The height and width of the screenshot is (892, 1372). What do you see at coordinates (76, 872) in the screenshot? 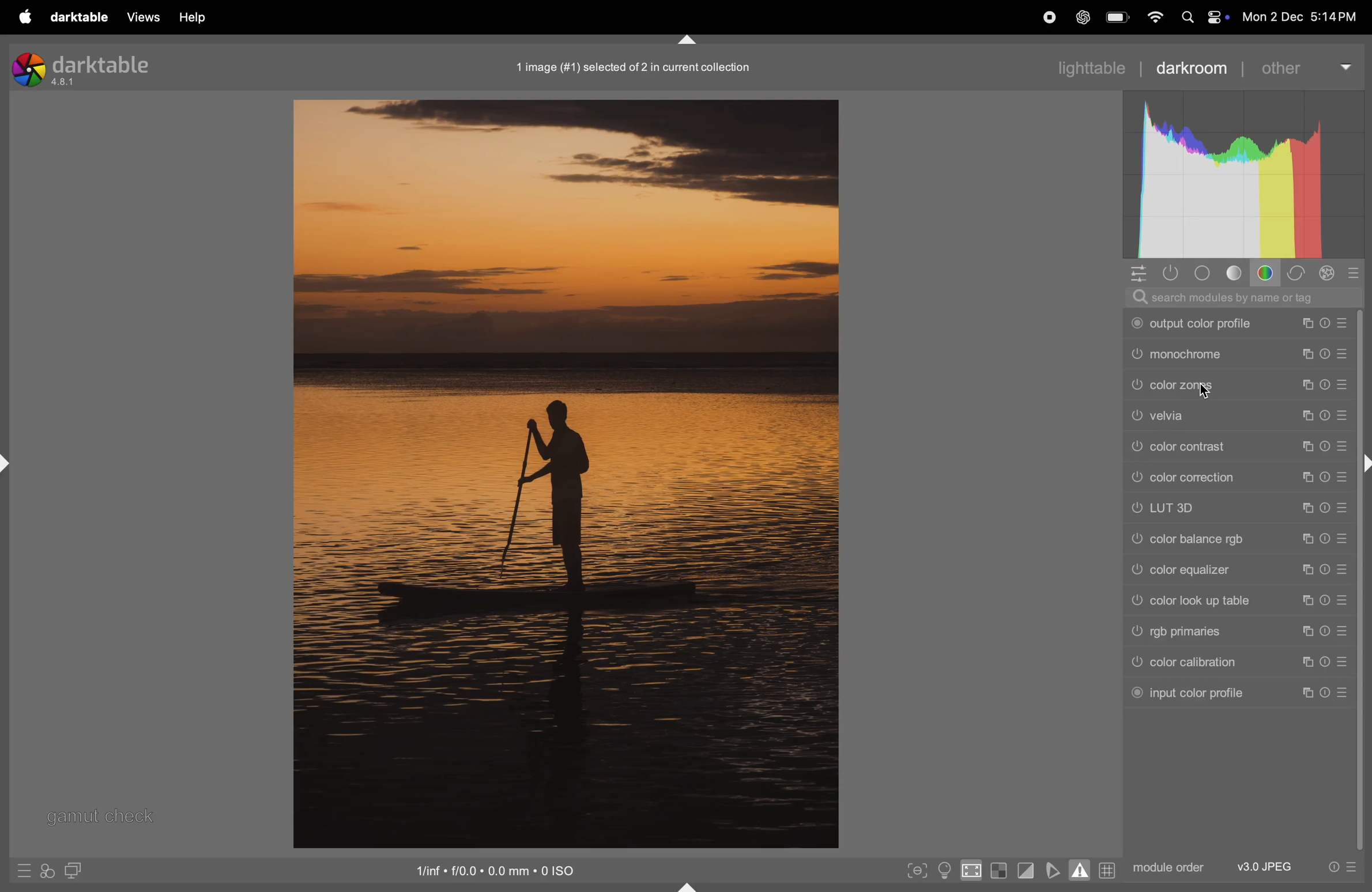
I see `display second window` at bounding box center [76, 872].